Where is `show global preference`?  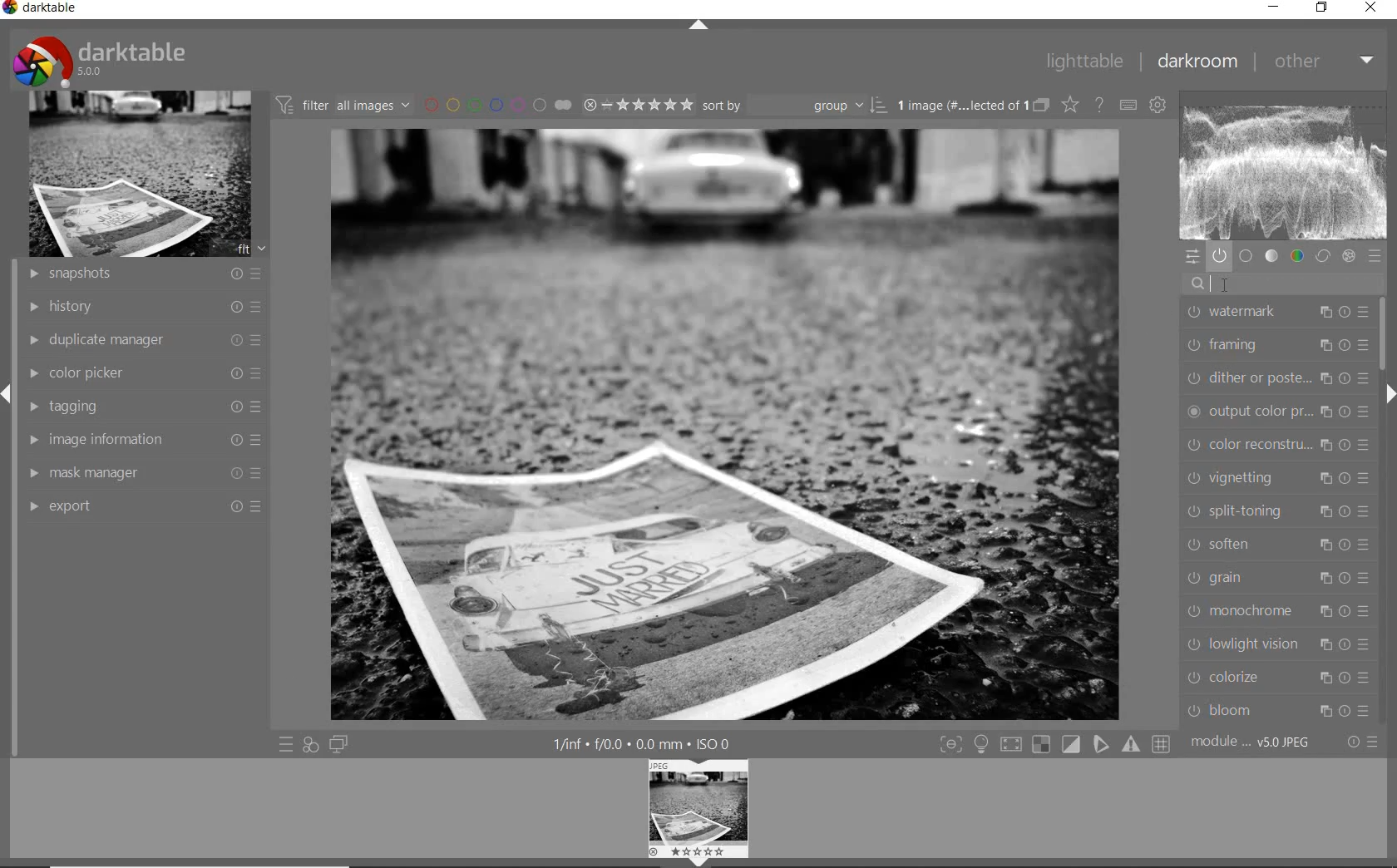
show global preference is located at coordinates (1156, 106).